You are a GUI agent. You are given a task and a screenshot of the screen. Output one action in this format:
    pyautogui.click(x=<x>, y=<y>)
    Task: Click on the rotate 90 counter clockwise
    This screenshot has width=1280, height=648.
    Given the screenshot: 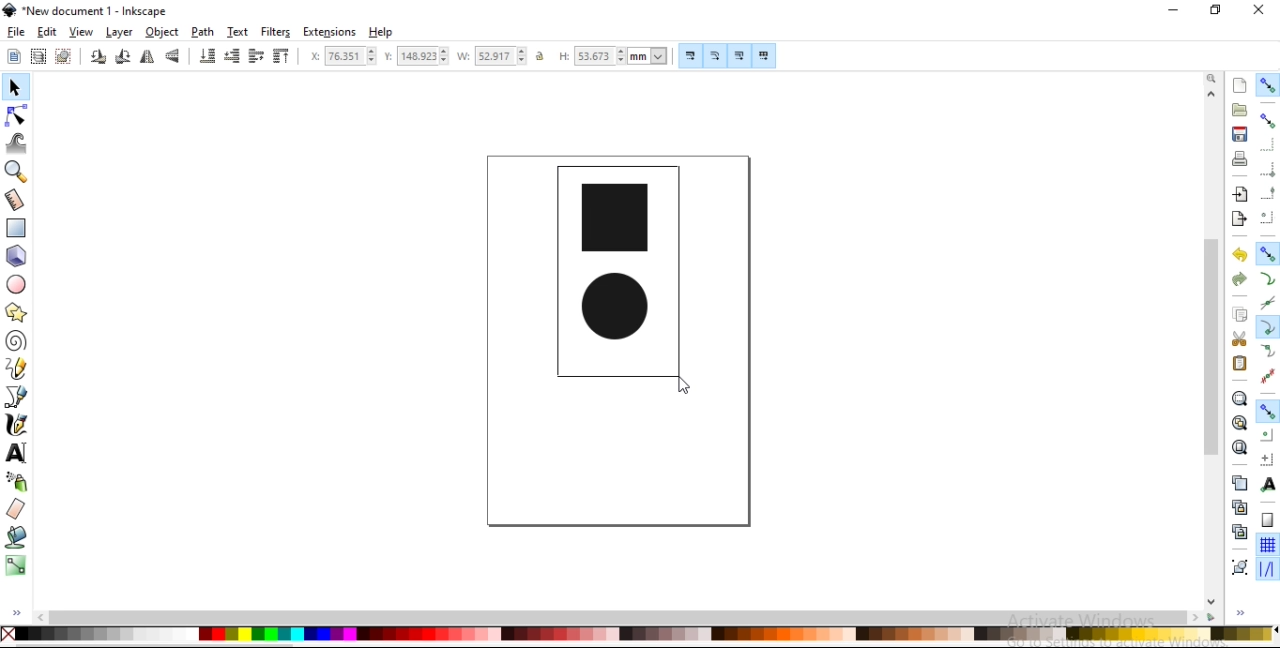 What is the action you would take?
    pyautogui.click(x=98, y=59)
    